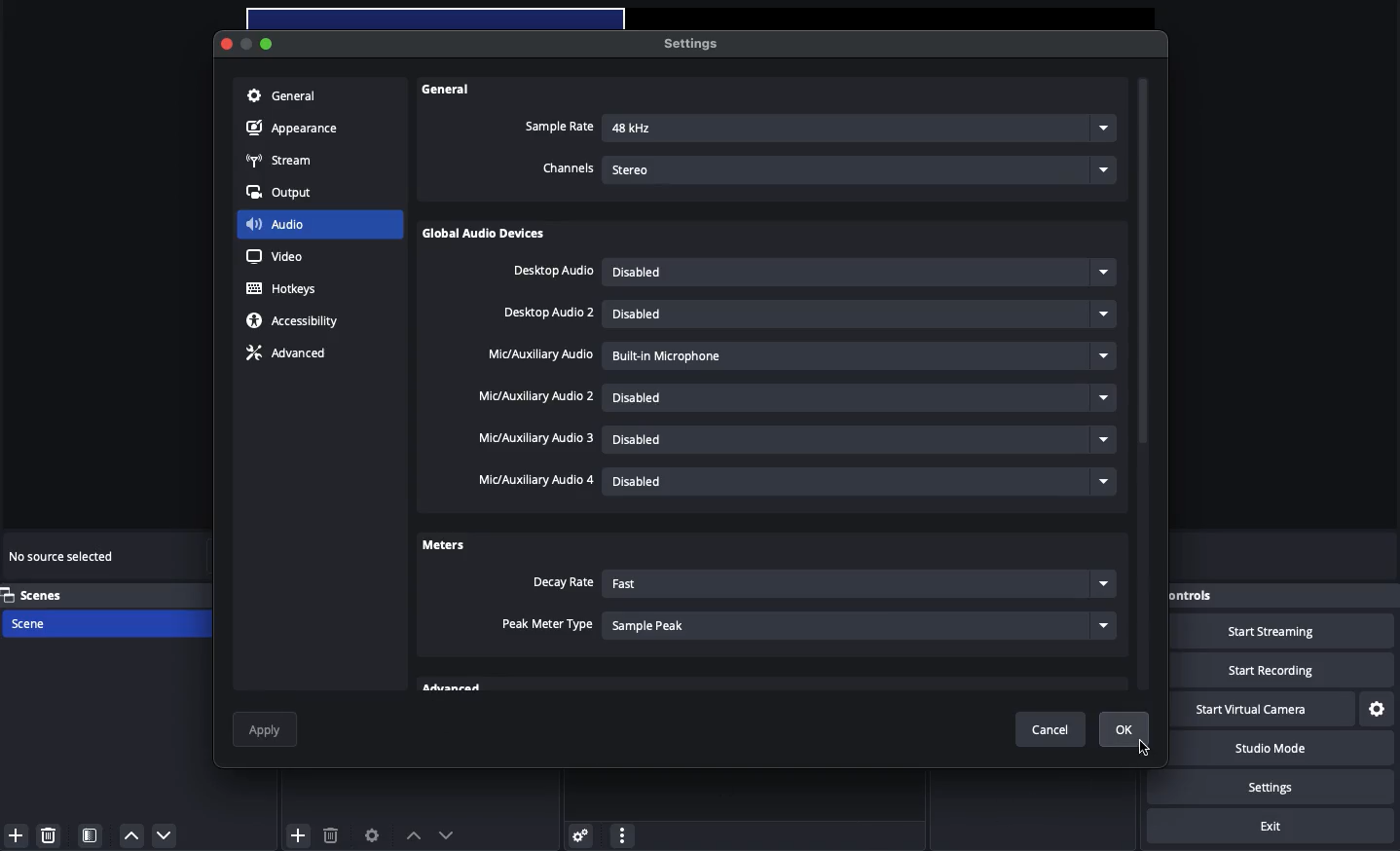  I want to click on Up, so click(129, 835).